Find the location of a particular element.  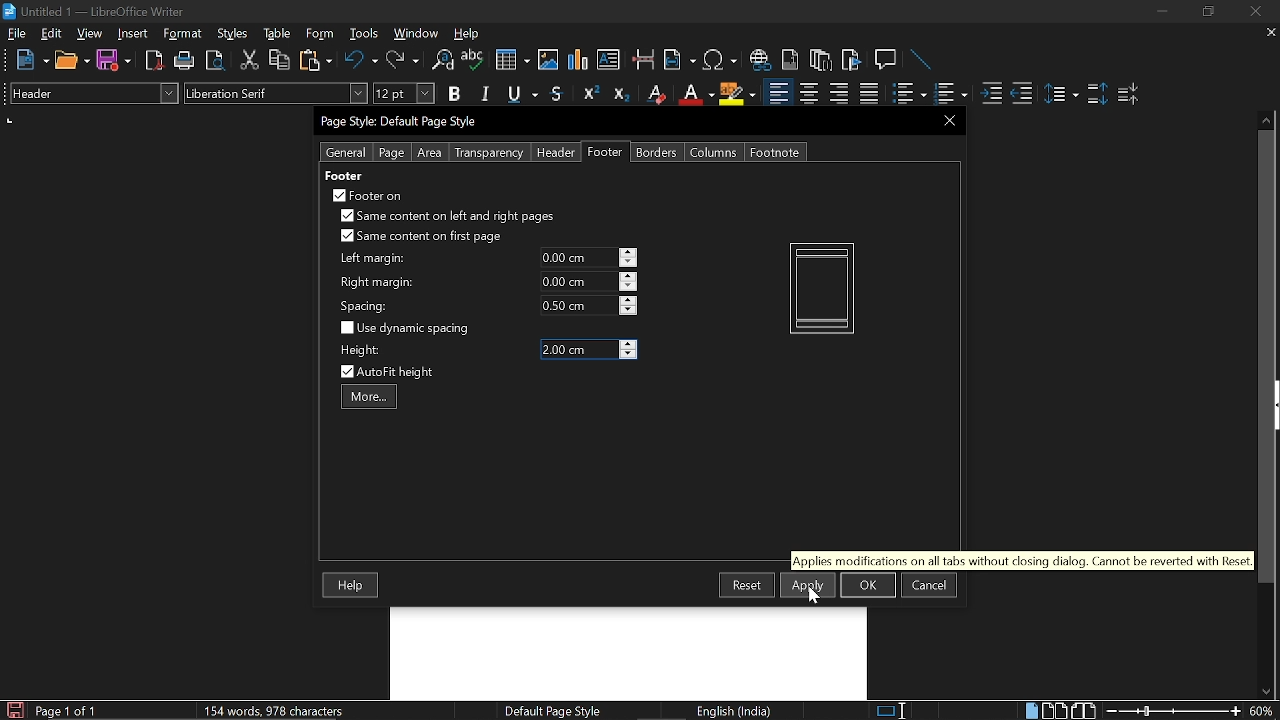

decrease spacing is located at coordinates (628, 311).